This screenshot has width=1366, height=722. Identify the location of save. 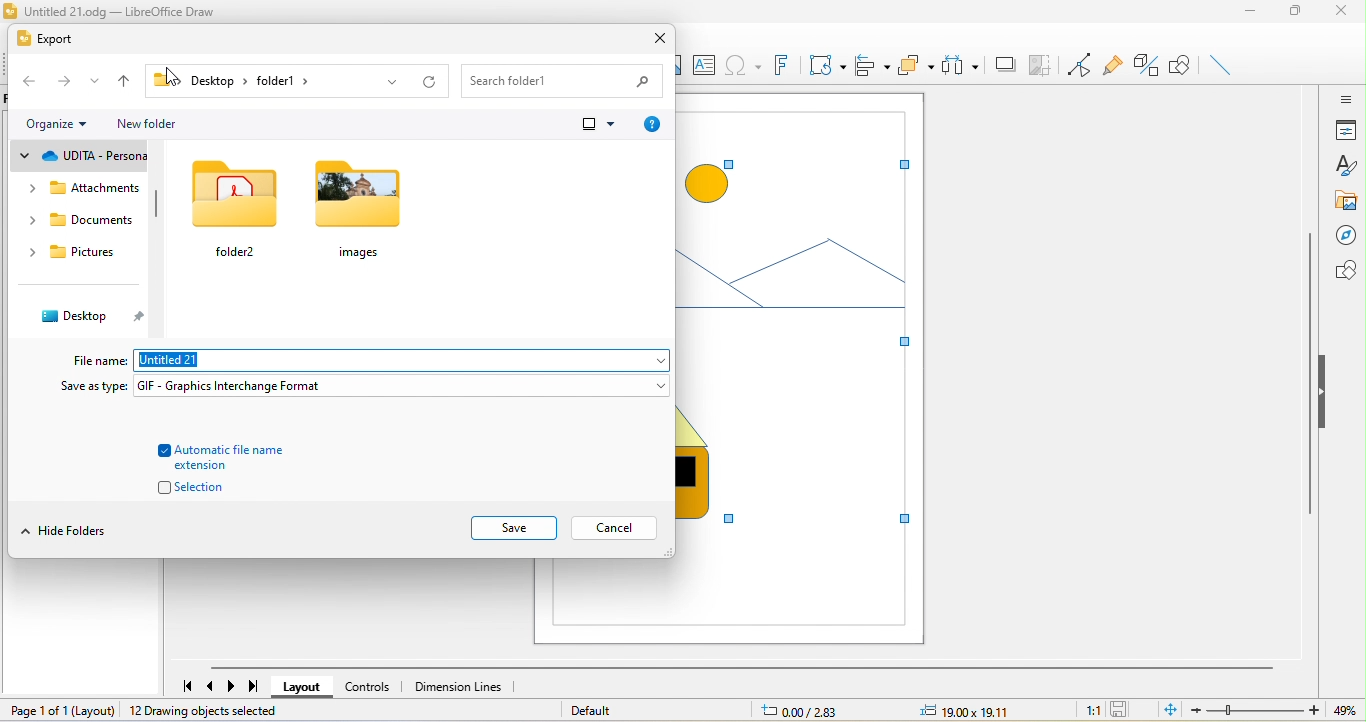
(1123, 710).